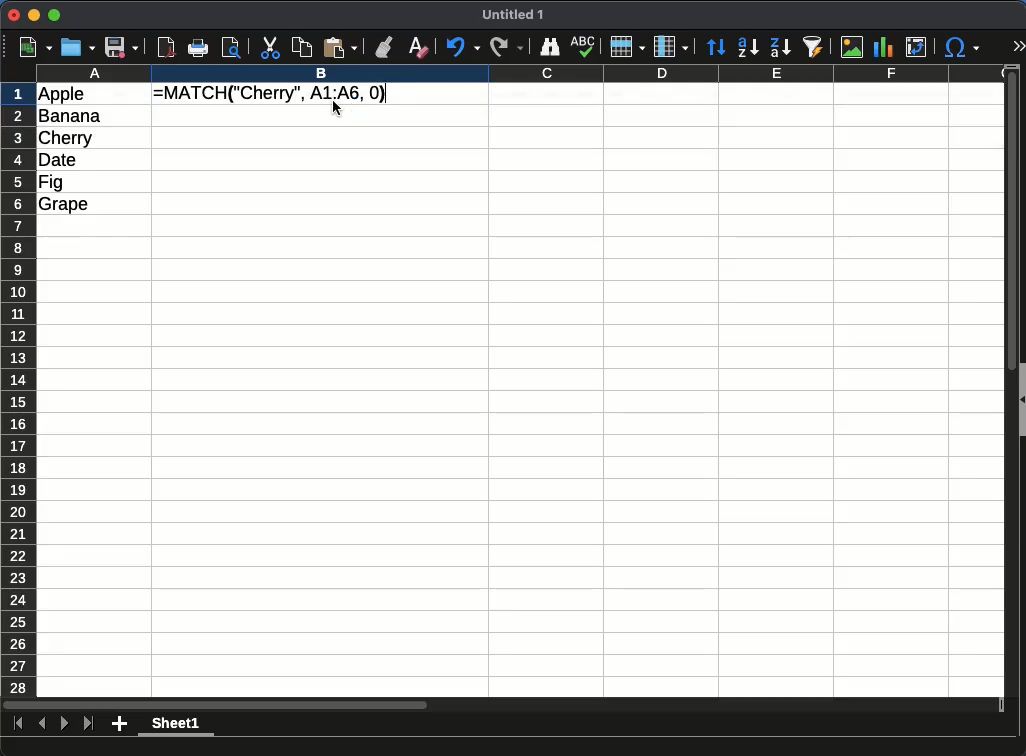  I want to click on cherry, so click(66, 139).